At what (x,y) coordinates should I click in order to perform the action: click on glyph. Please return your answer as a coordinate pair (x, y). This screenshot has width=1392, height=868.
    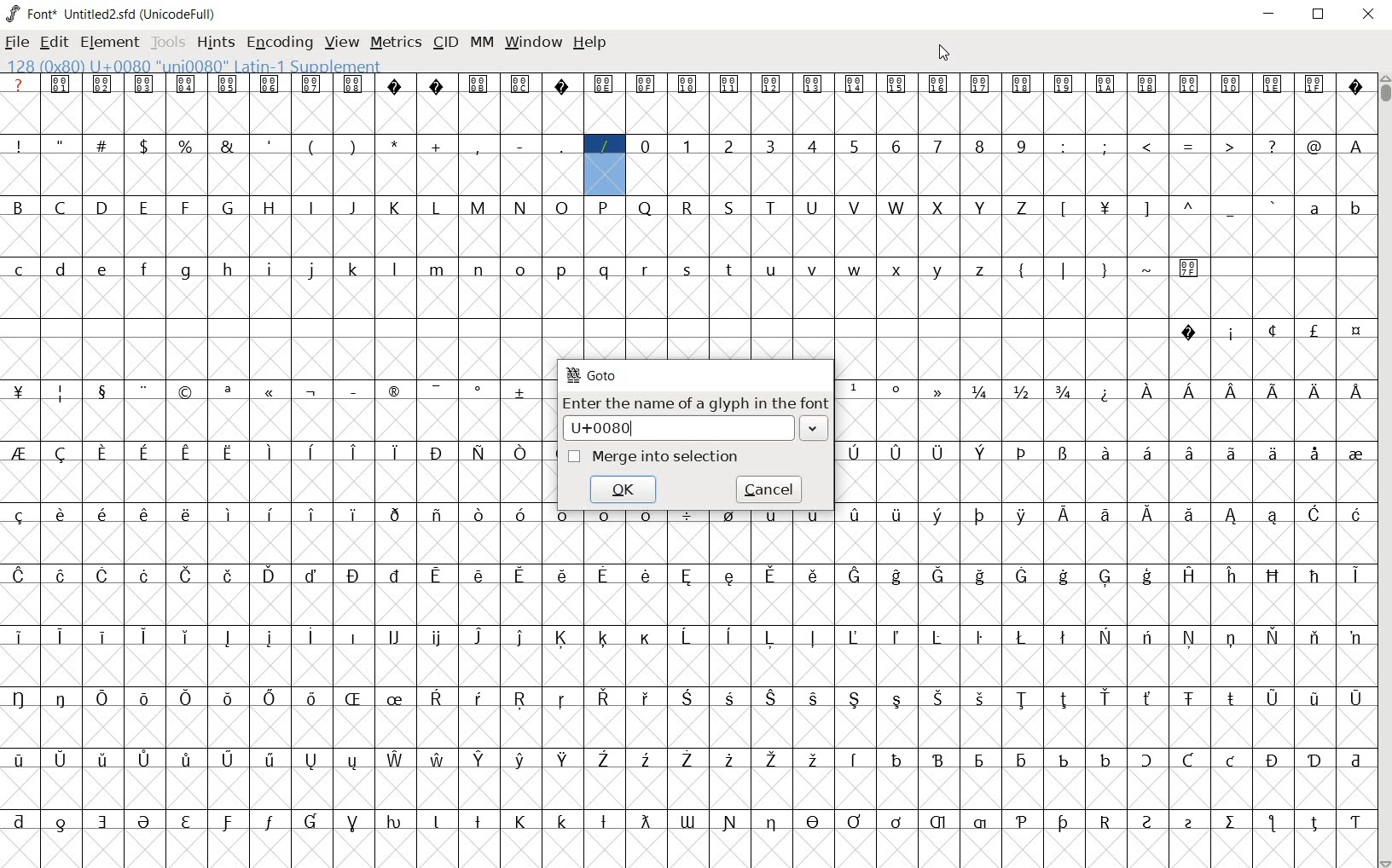
    Looking at the image, I should click on (1064, 761).